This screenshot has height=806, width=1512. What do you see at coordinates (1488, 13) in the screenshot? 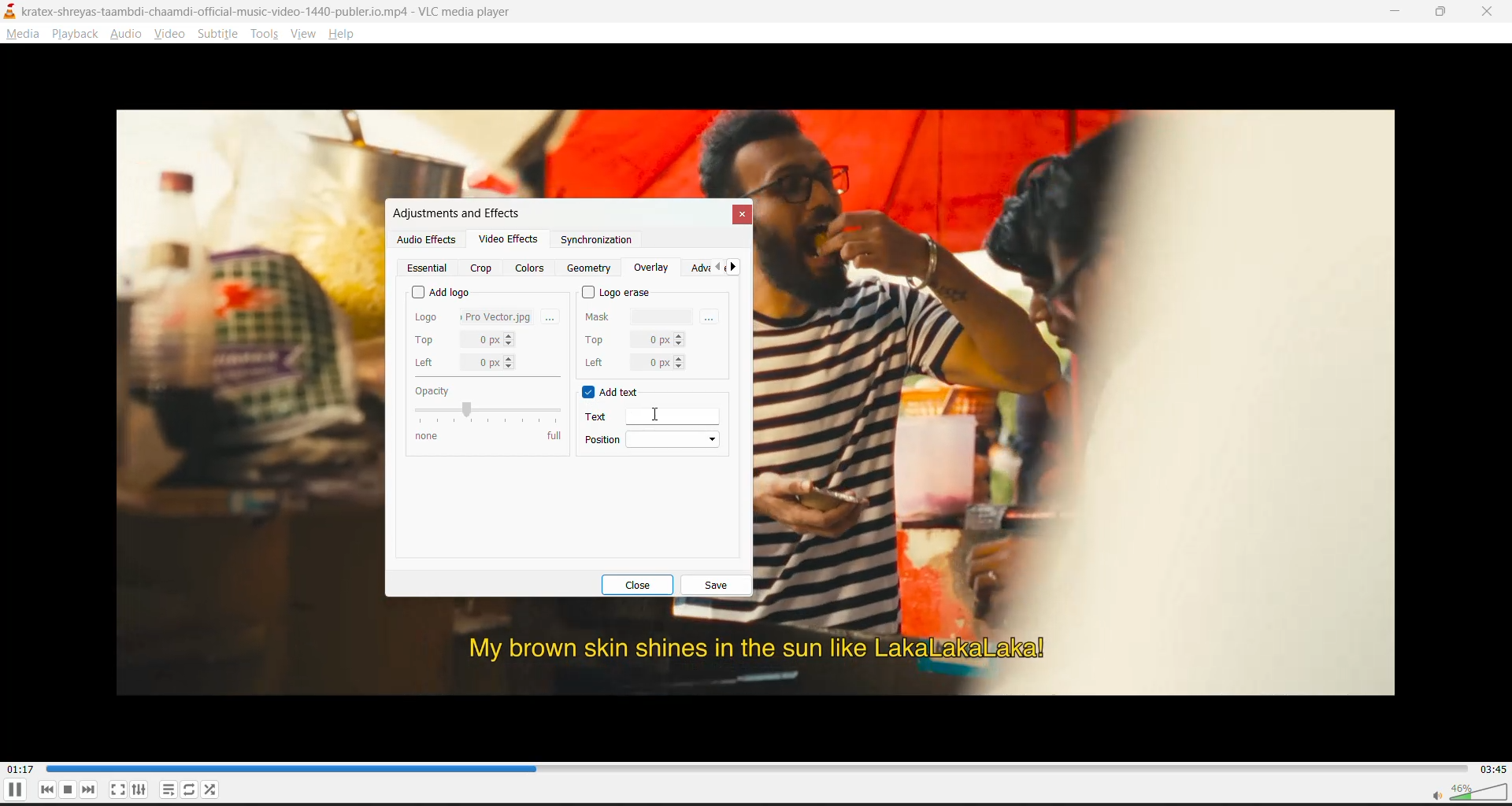
I see `close` at bounding box center [1488, 13].